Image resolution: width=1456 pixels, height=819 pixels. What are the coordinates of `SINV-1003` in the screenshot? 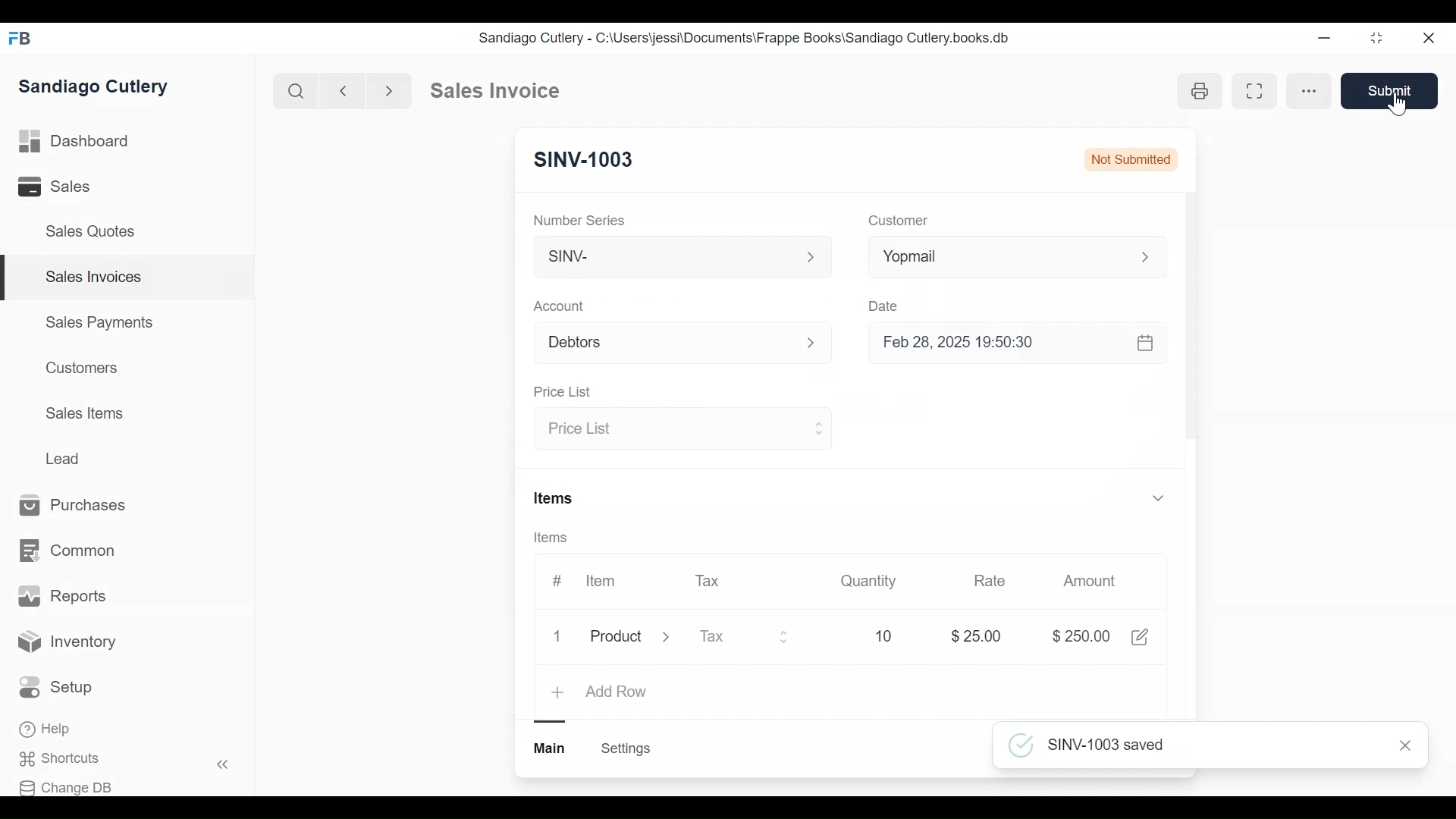 It's located at (585, 160).